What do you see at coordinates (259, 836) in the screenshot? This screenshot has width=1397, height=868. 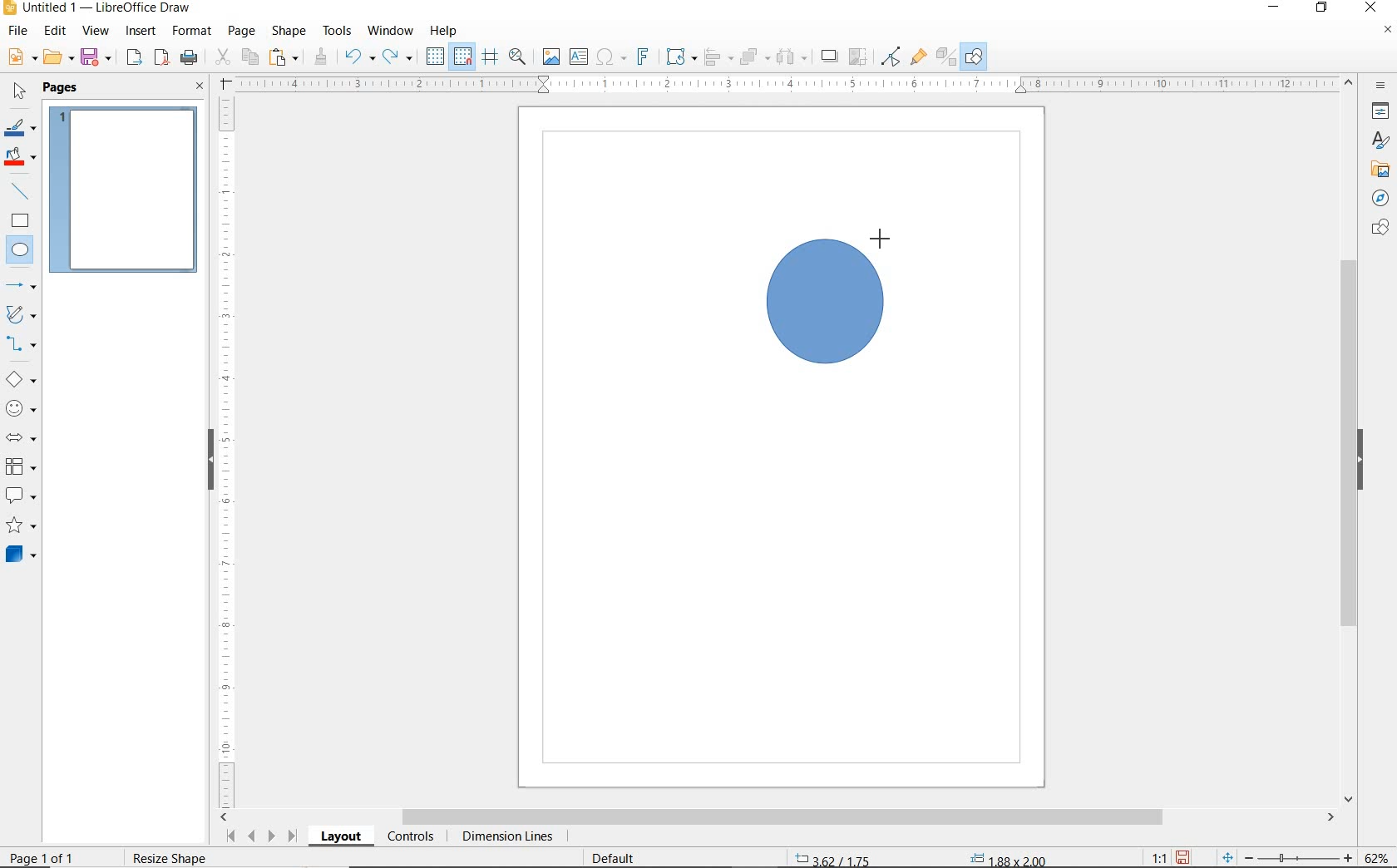 I see `SCROLL NEXT` at bounding box center [259, 836].